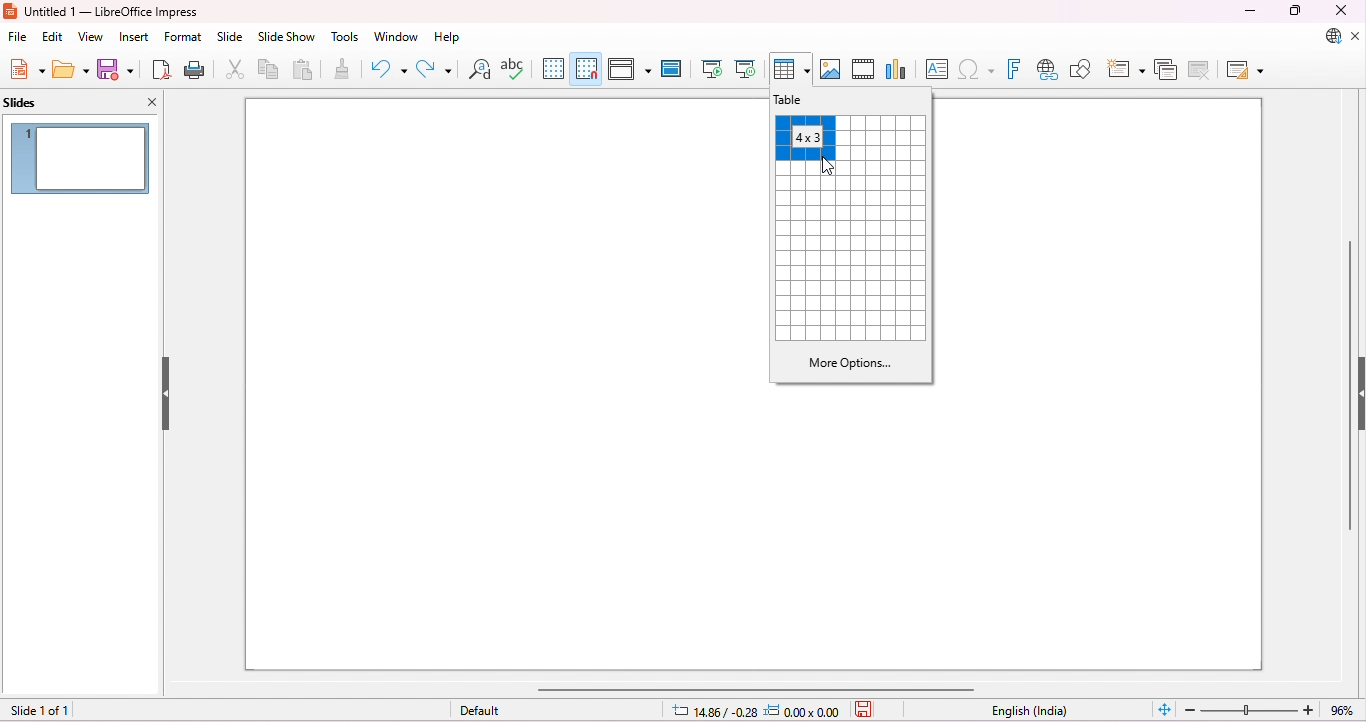 This screenshot has width=1366, height=722. I want to click on duplicate slide, so click(1168, 69).